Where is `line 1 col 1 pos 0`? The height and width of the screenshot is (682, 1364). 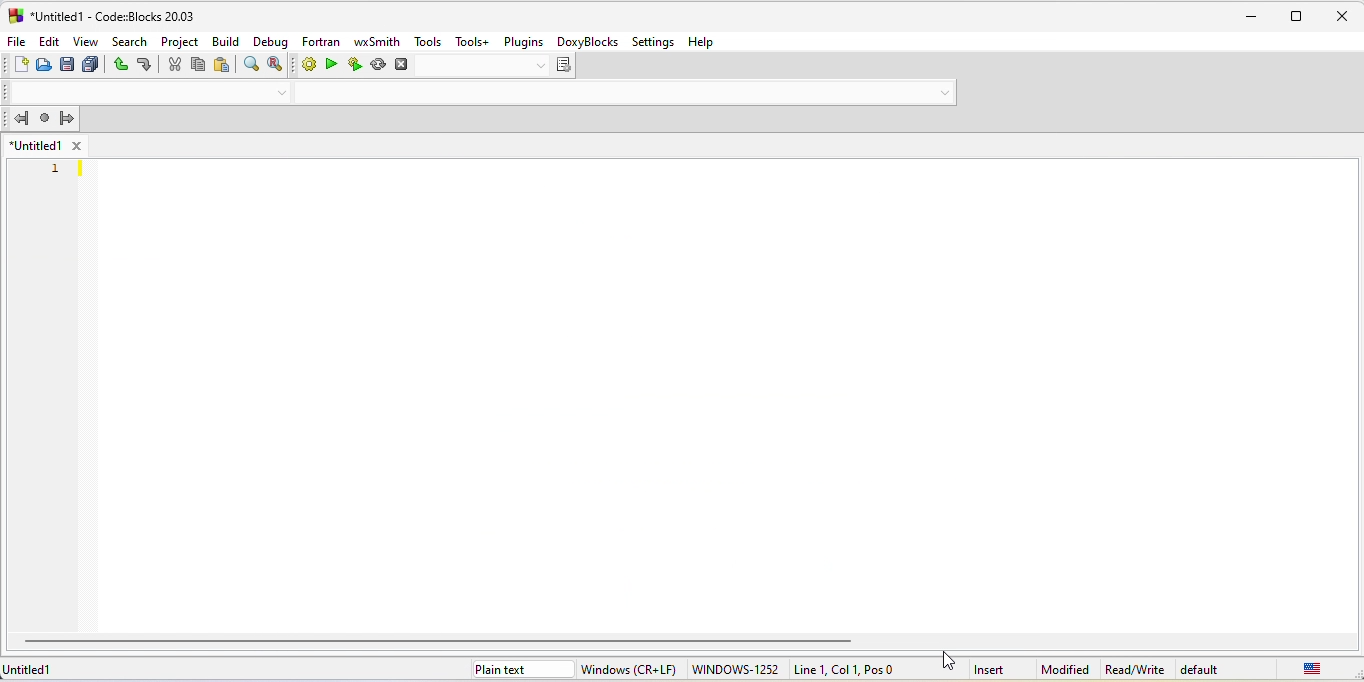
line 1 col 1 pos 0 is located at coordinates (851, 668).